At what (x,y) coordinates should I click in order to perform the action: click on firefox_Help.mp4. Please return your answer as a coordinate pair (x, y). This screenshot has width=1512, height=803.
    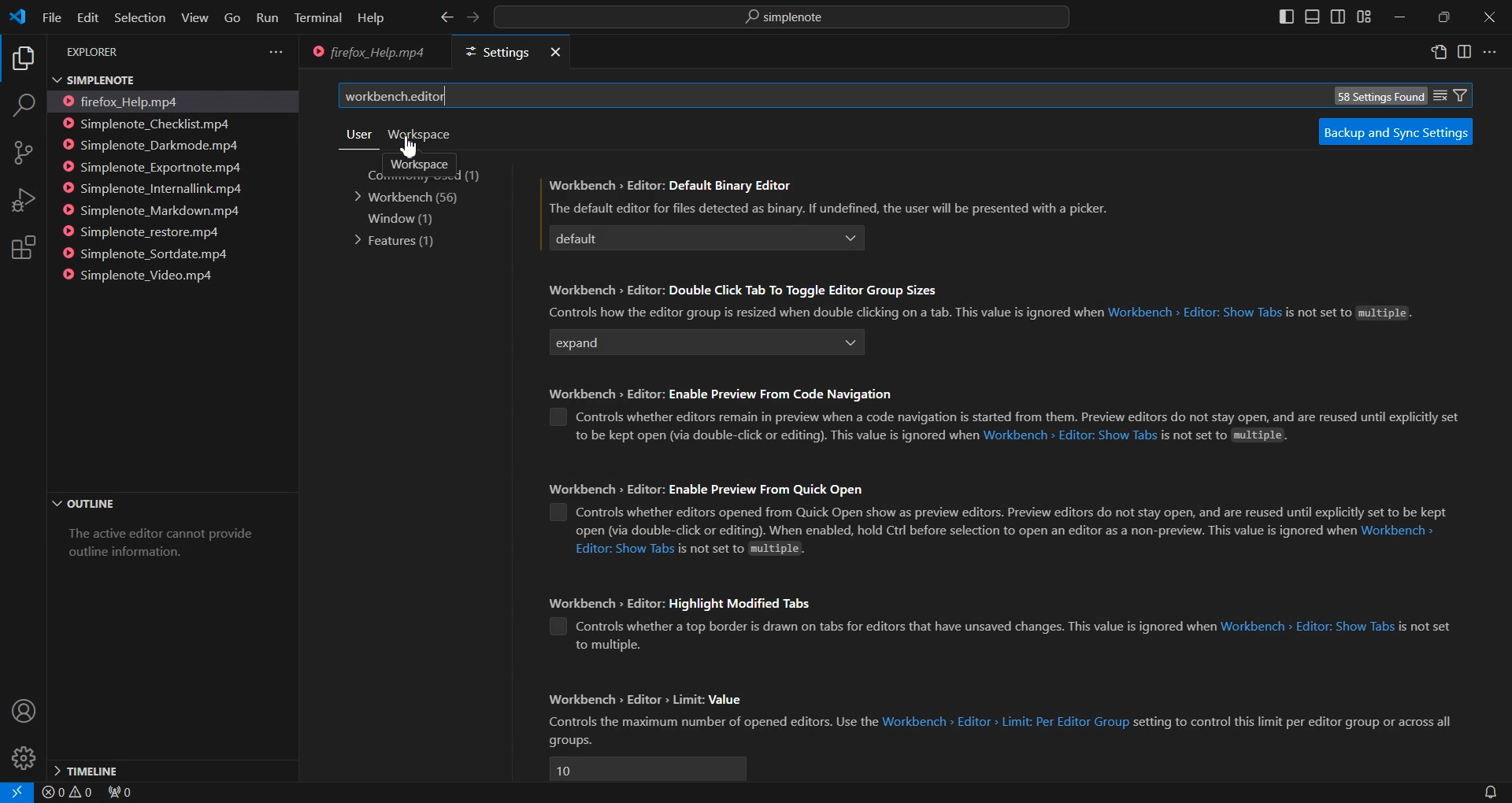
    Looking at the image, I should click on (369, 54).